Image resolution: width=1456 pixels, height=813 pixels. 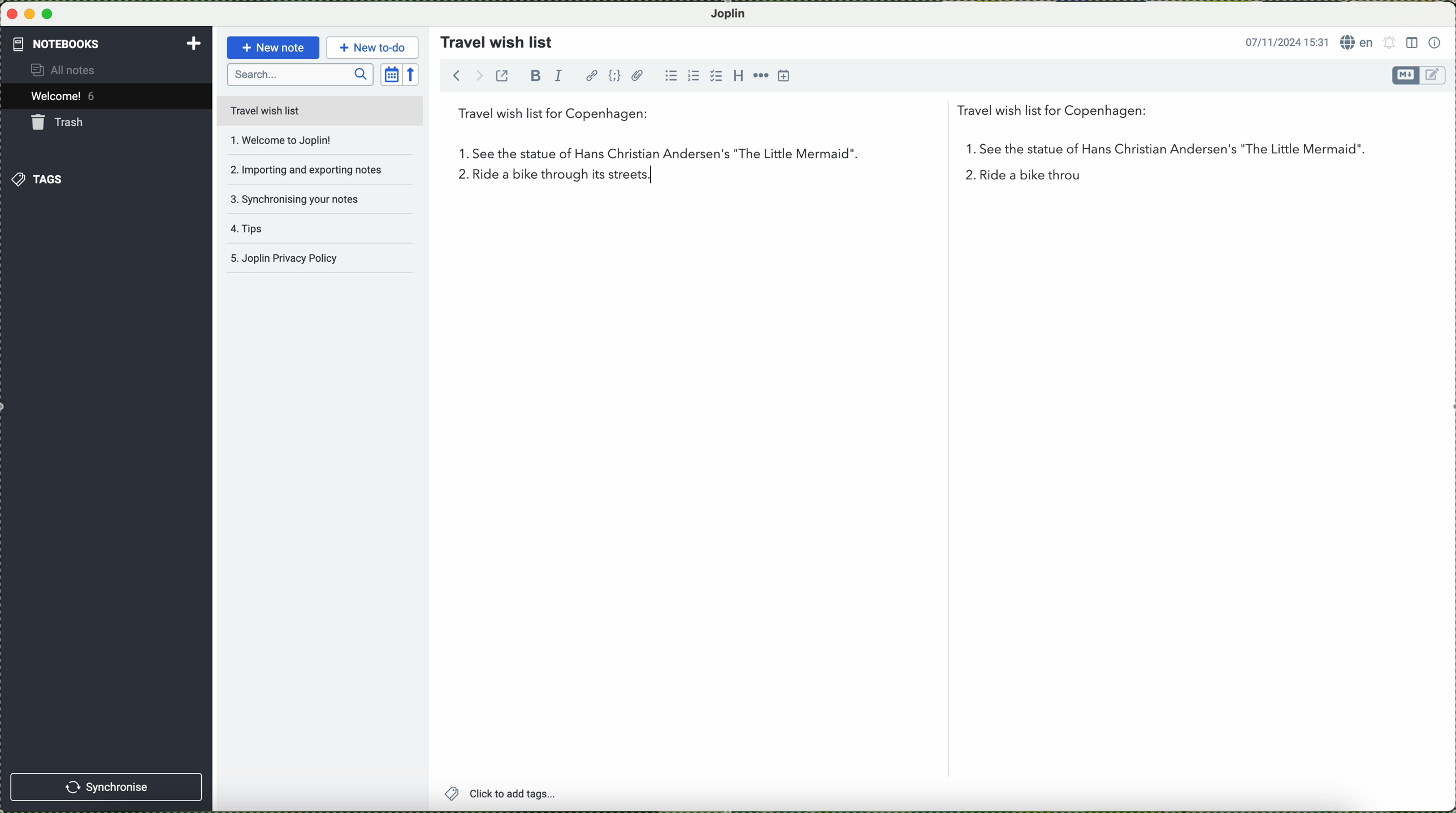 What do you see at coordinates (107, 44) in the screenshot?
I see `notebooks tab` at bounding box center [107, 44].